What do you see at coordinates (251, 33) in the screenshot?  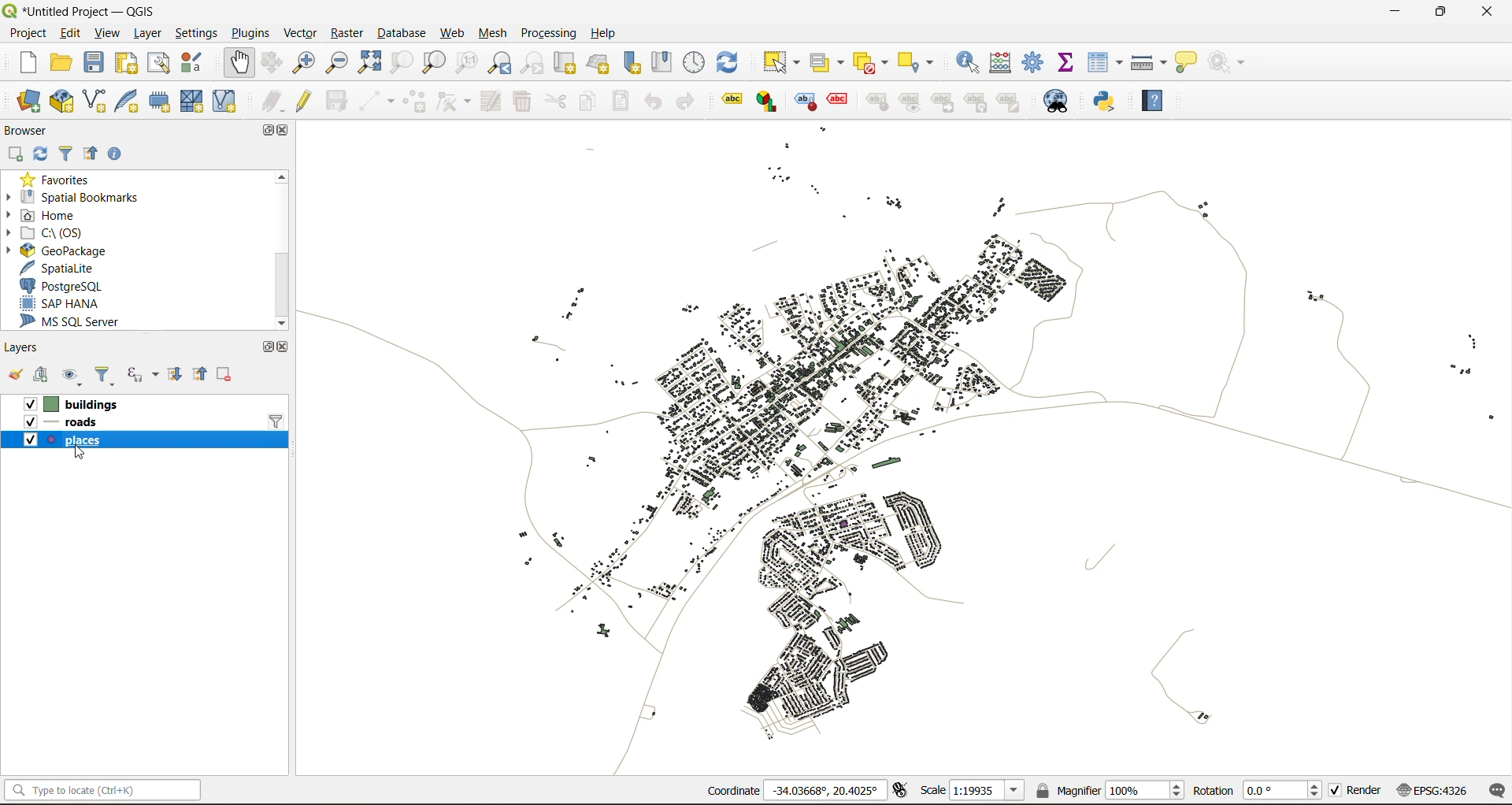 I see `plugins` at bounding box center [251, 33].